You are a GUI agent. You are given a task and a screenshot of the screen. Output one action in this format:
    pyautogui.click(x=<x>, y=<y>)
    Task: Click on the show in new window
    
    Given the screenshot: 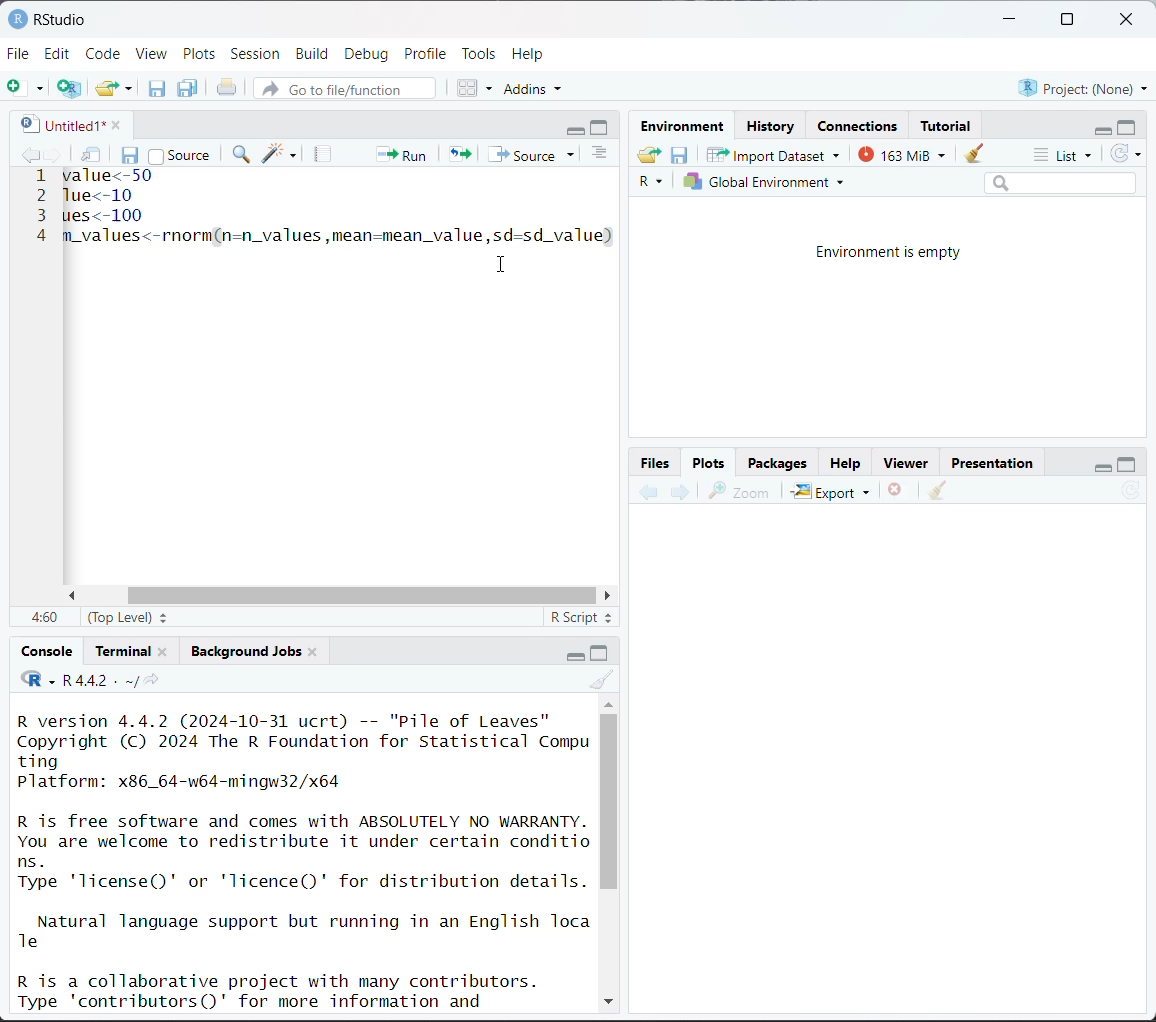 What is the action you would take?
    pyautogui.click(x=93, y=156)
    